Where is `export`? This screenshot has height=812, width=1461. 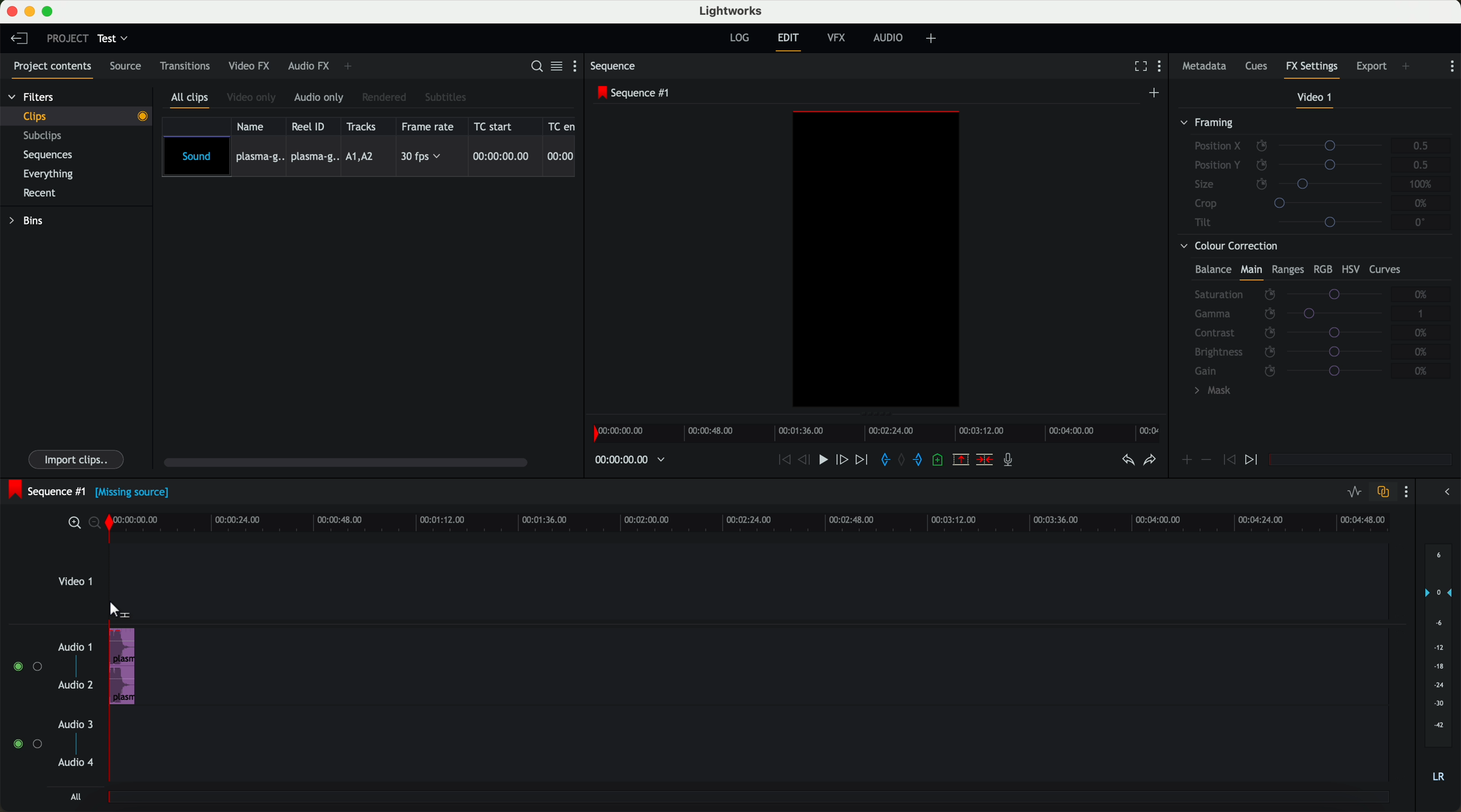 export is located at coordinates (1370, 65).